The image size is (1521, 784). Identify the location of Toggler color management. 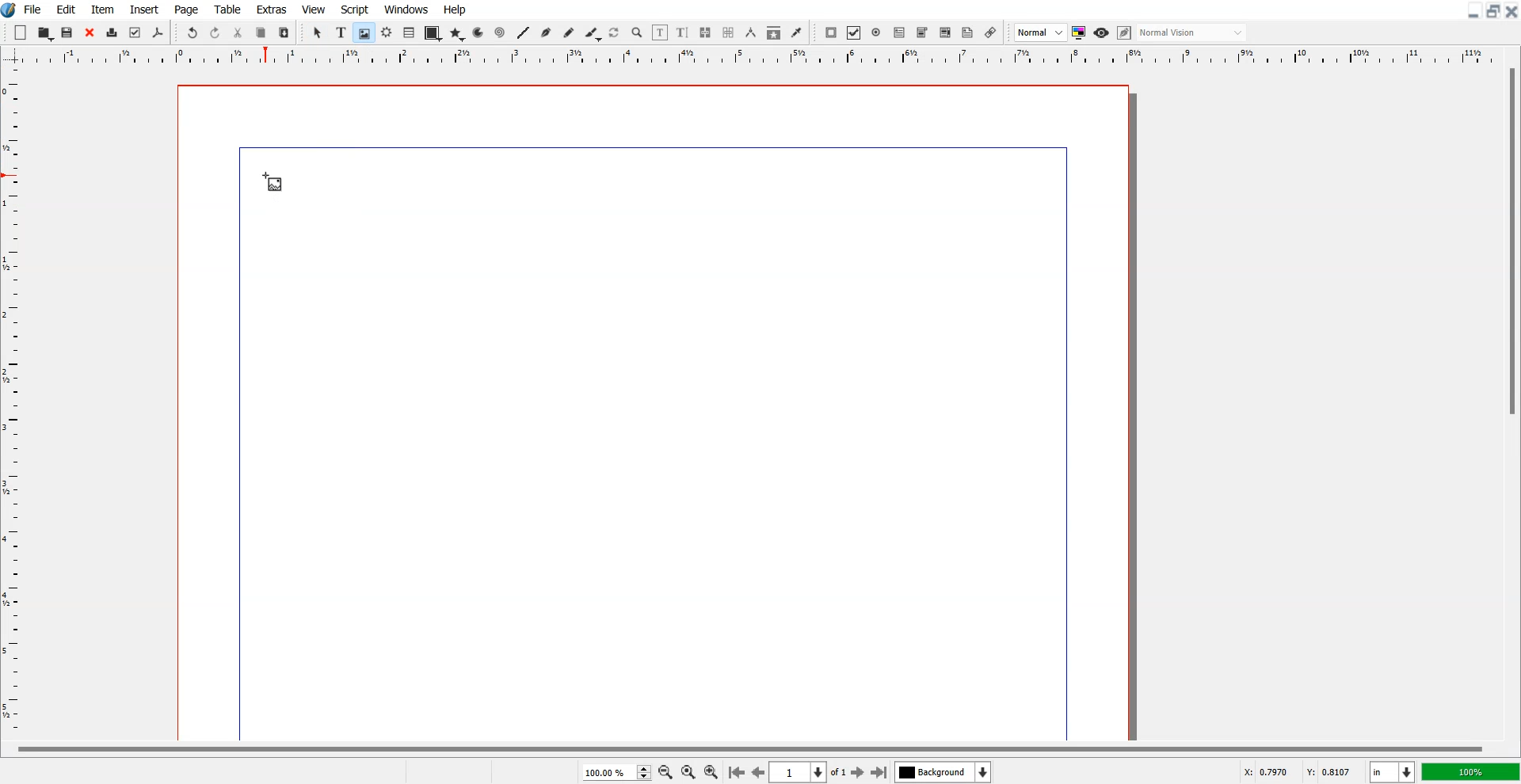
(1079, 32).